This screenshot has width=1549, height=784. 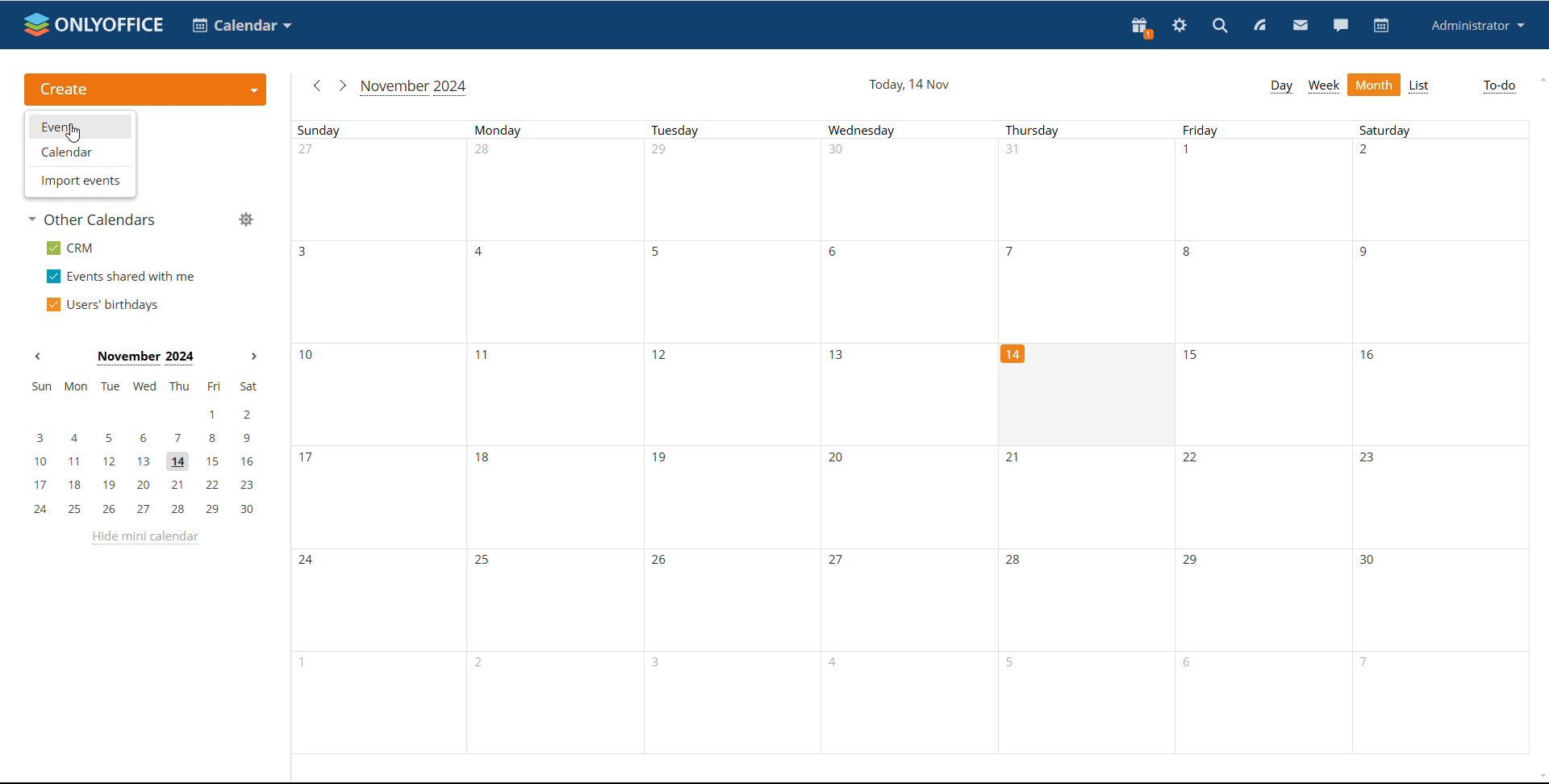 I want to click on Different dates of the month, so click(x=919, y=291).